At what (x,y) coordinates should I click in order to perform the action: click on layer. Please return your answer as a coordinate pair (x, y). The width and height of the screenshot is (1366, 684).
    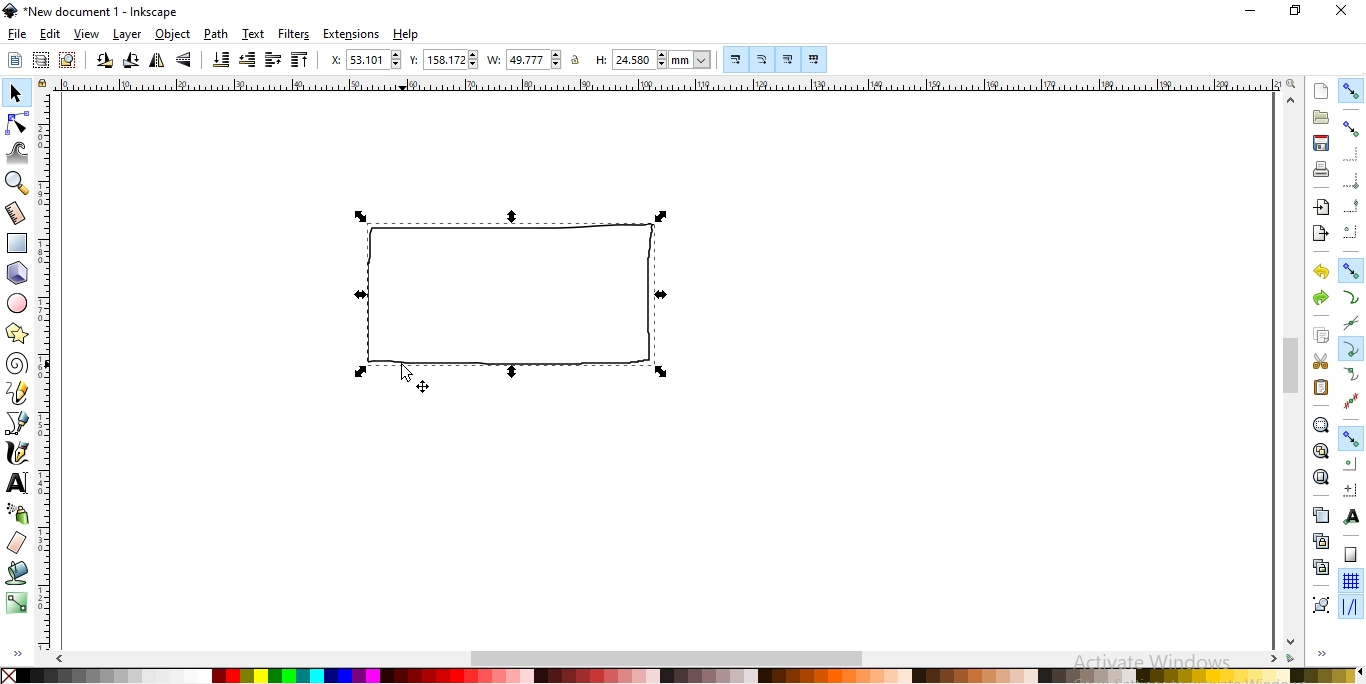
    Looking at the image, I should click on (128, 35).